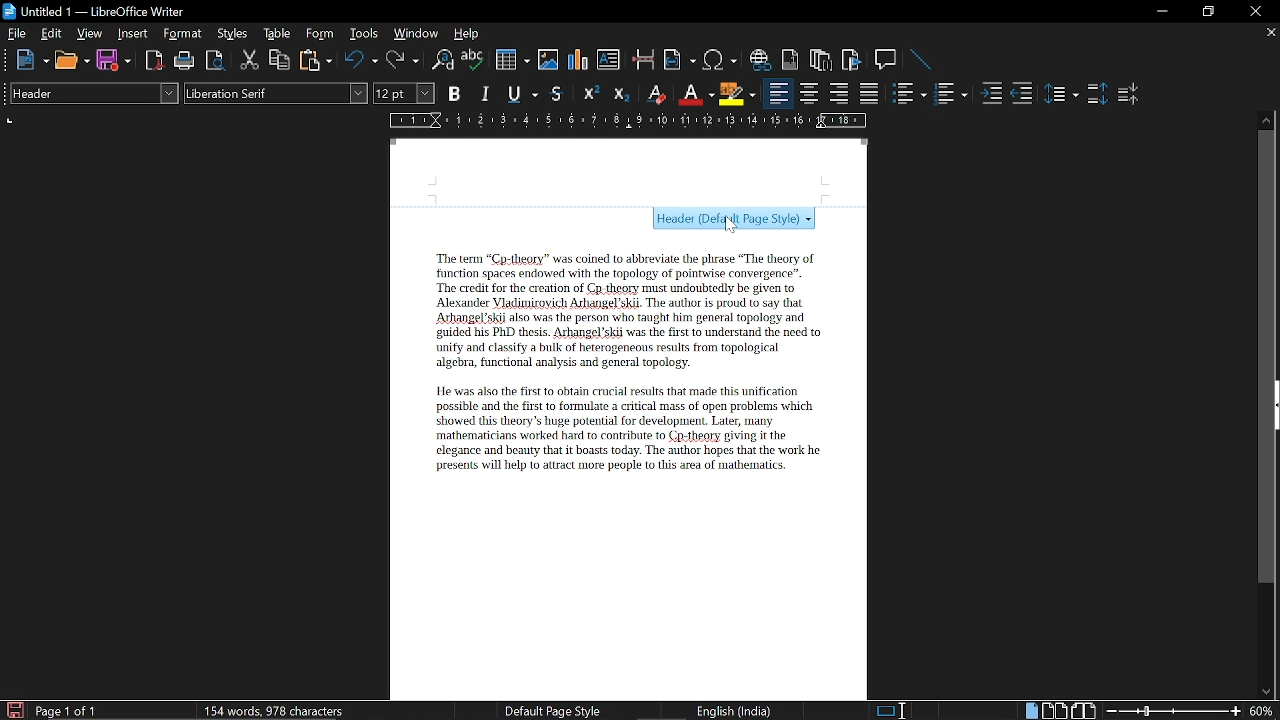 This screenshot has width=1280, height=720. I want to click on Insert image, so click(550, 59).